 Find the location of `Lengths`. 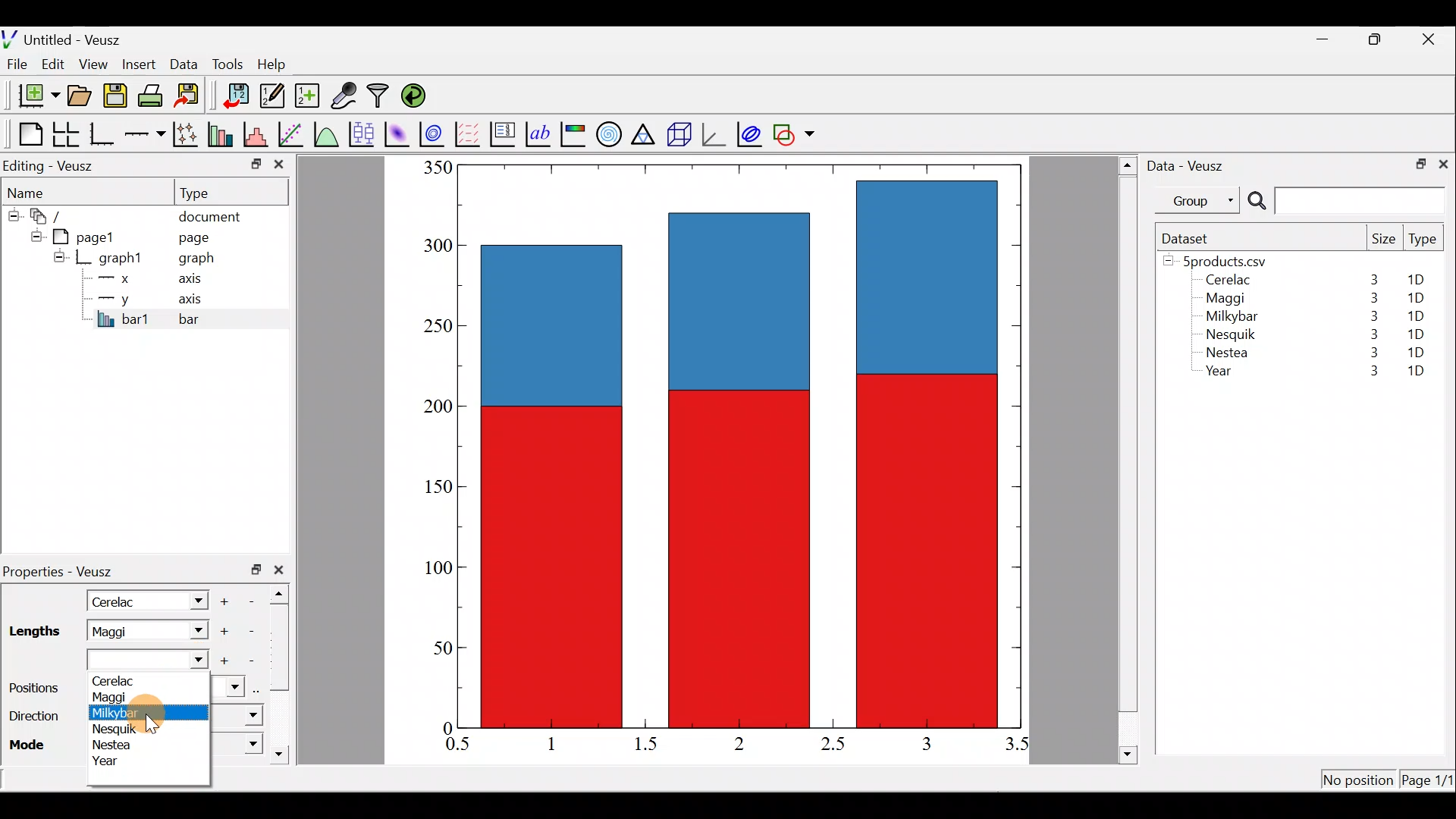

Lengths is located at coordinates (33, 632).